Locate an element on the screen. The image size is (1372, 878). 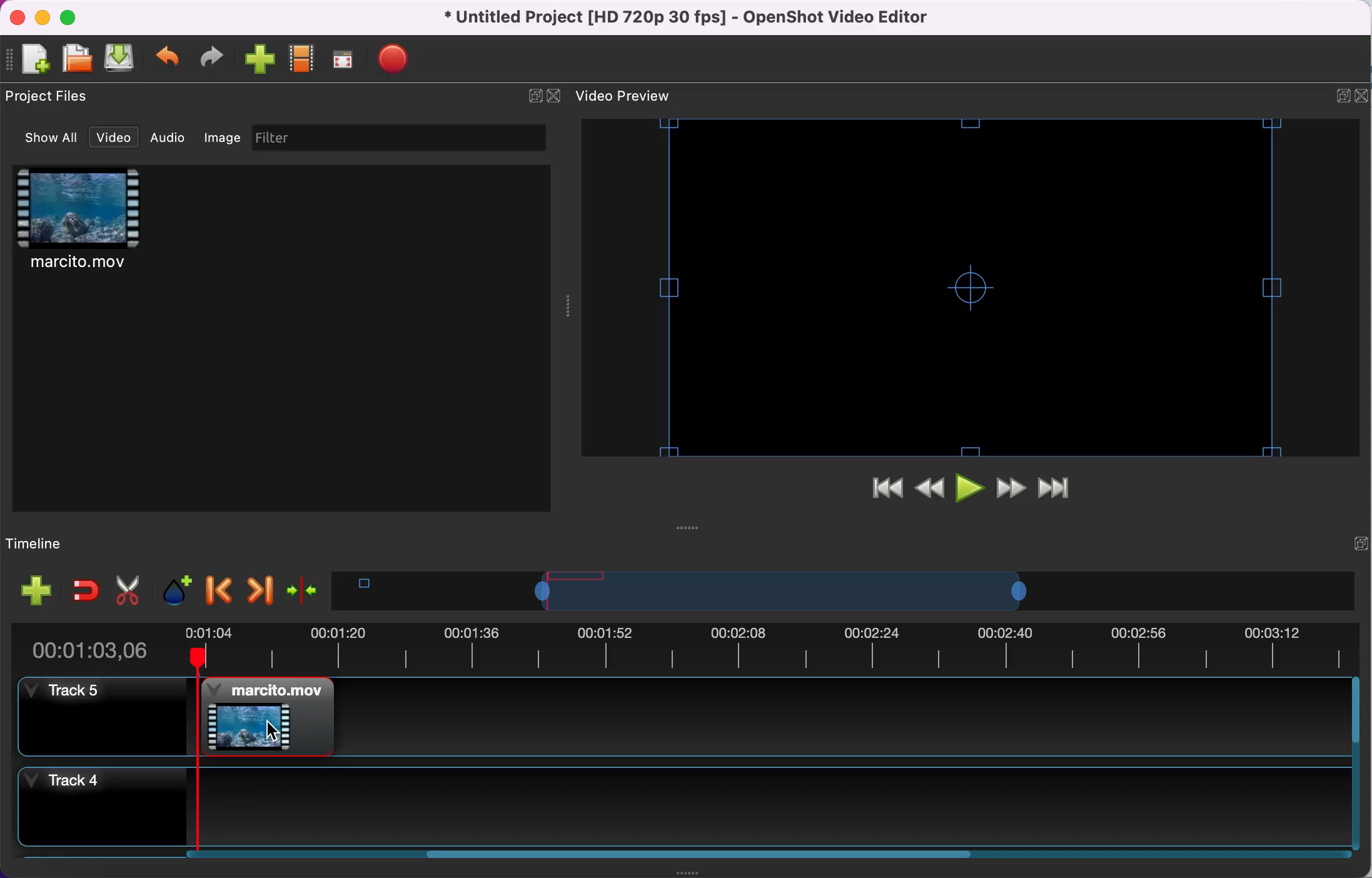
image is located at coordinates (224, 139).